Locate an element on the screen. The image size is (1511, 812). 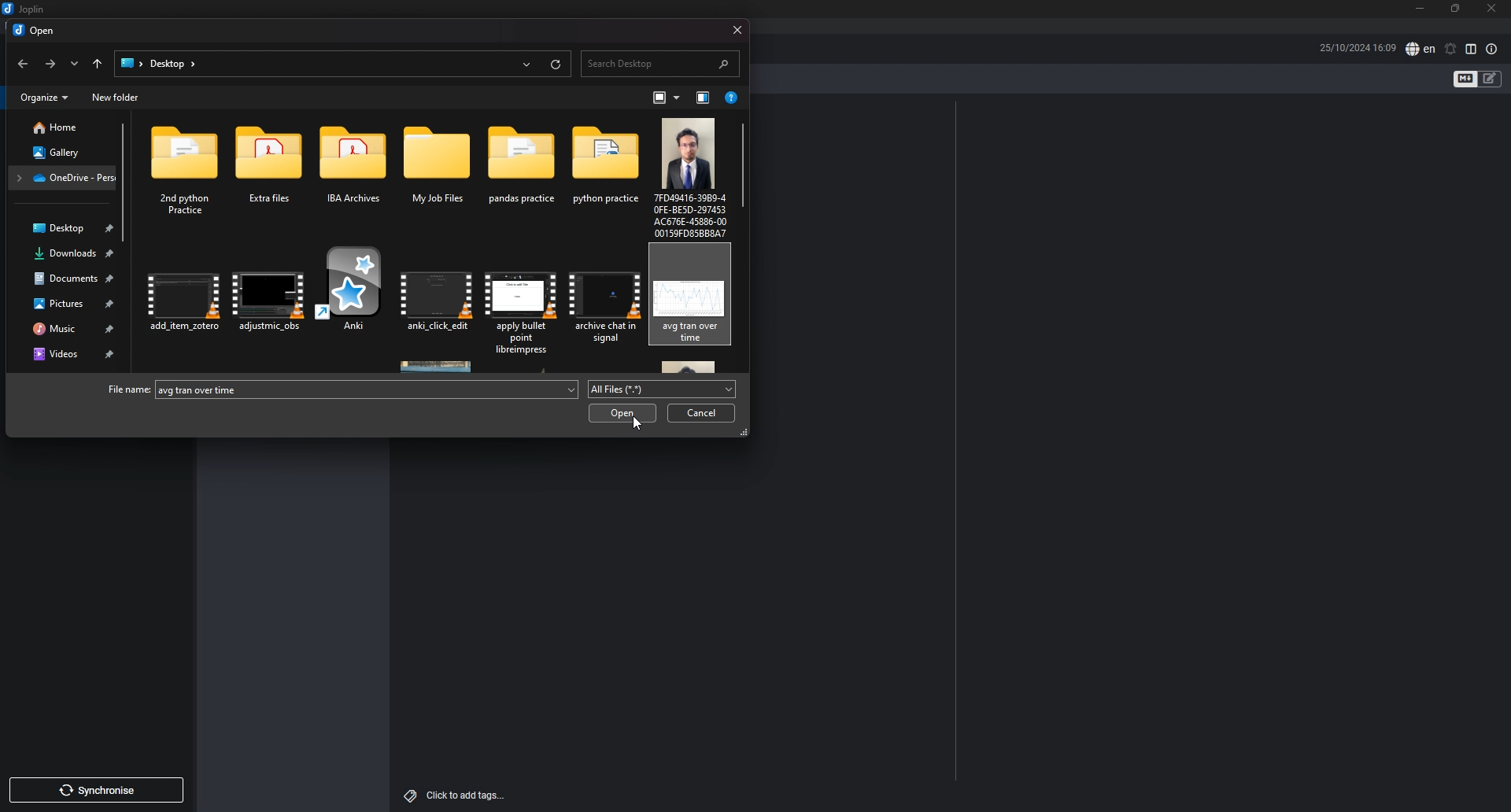
joplin is located at coordinates (26, 9).